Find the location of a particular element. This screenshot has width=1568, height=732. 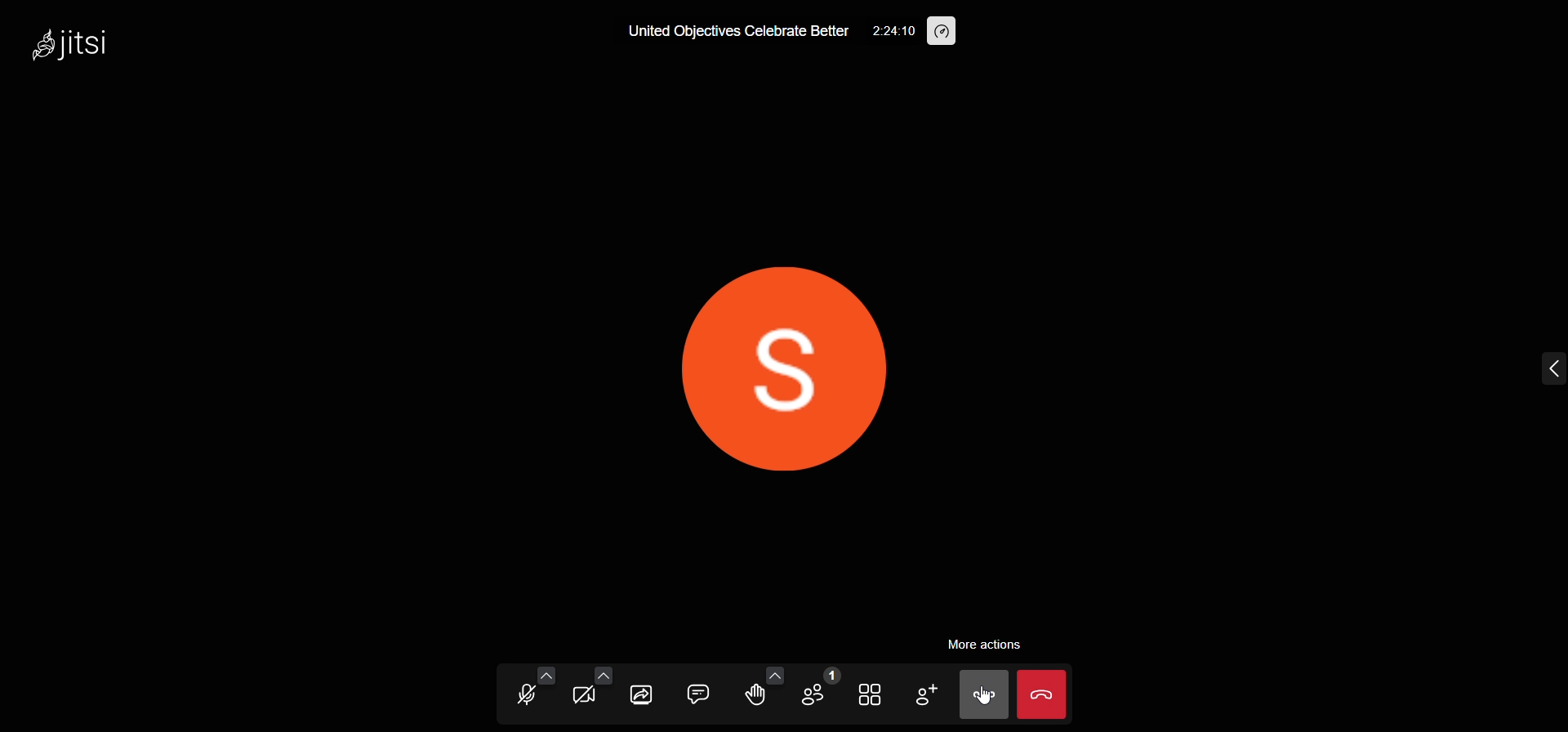

2:24:10 is located at coordinates (893, 30).